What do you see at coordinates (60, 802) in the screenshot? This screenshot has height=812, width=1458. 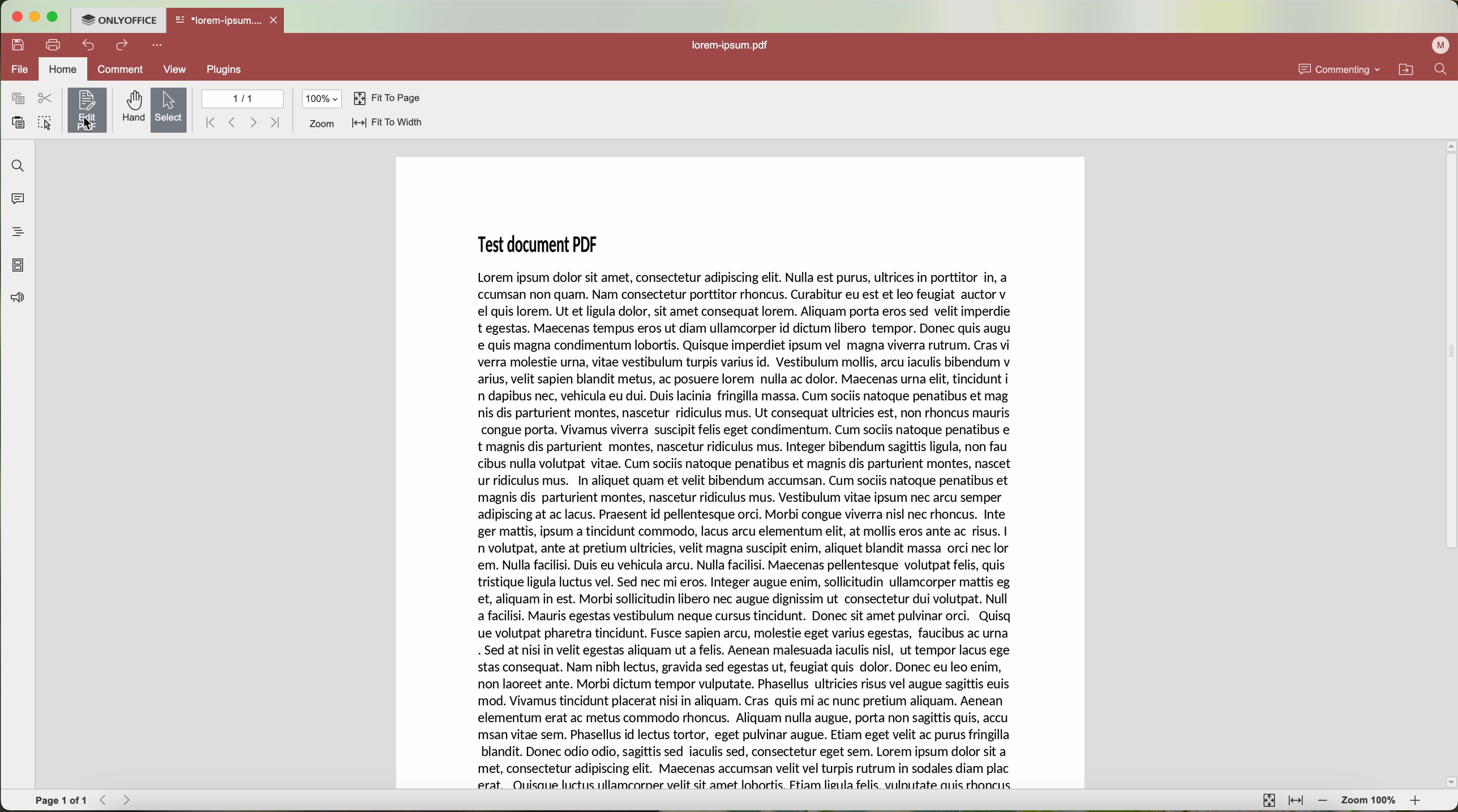 I see `page 1 of 1` at bounding box center [60, 802].